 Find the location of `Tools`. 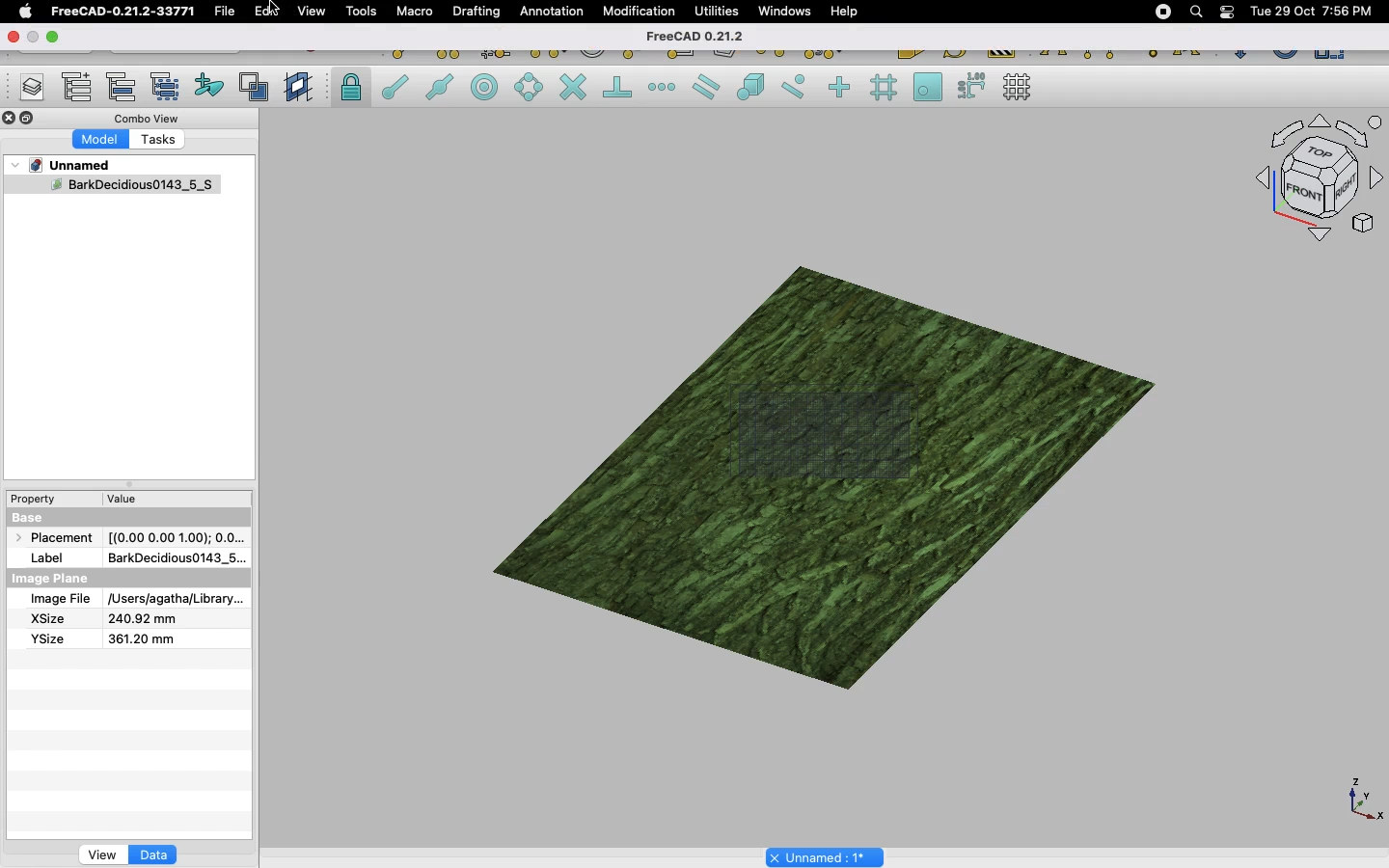

Tools is located at coordinates (361, 12).